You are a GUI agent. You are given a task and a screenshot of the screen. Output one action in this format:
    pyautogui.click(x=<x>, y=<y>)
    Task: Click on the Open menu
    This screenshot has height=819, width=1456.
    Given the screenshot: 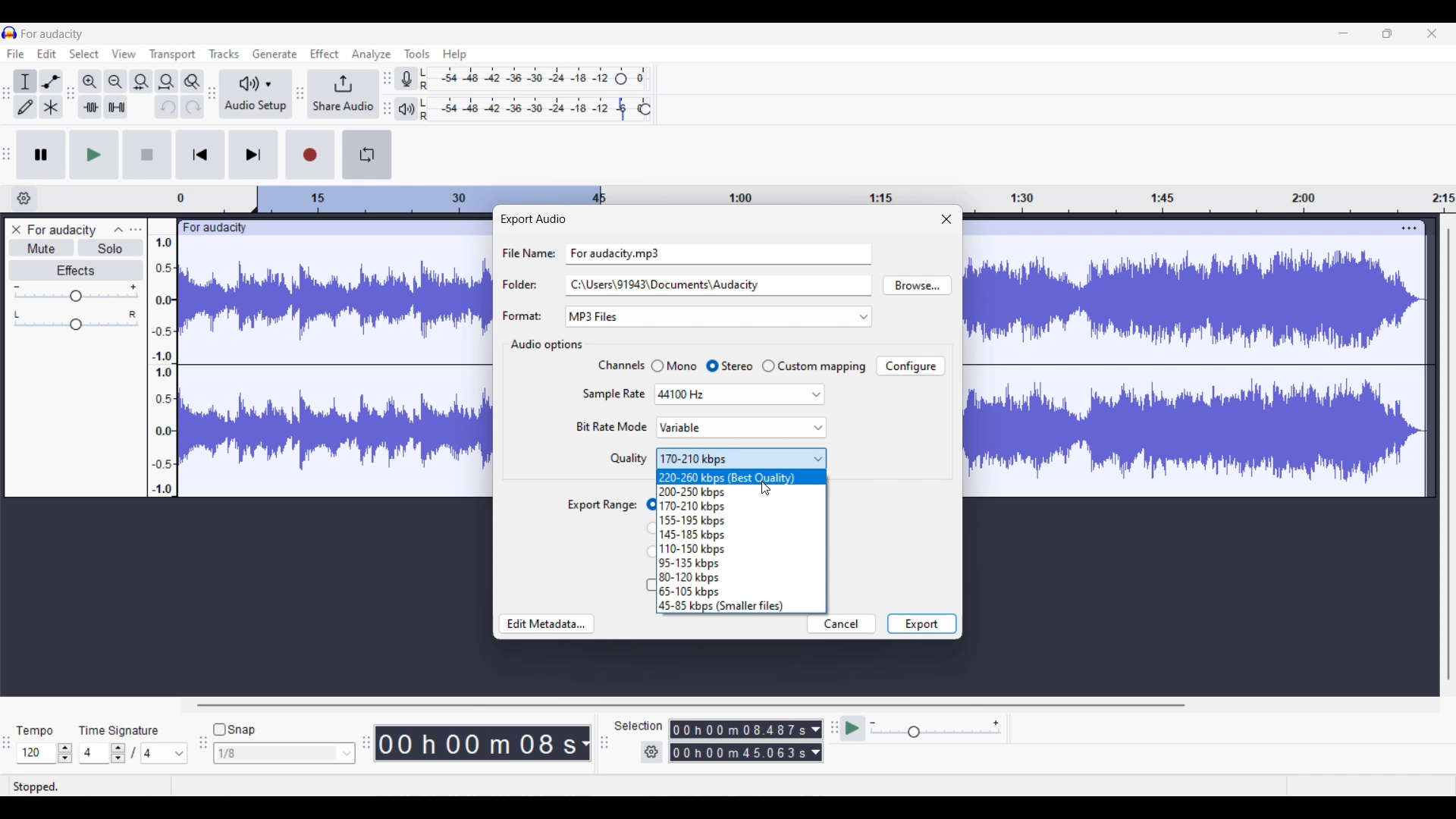 What is the action you would take?
    pyautogui.click(x=136, y=229)
    